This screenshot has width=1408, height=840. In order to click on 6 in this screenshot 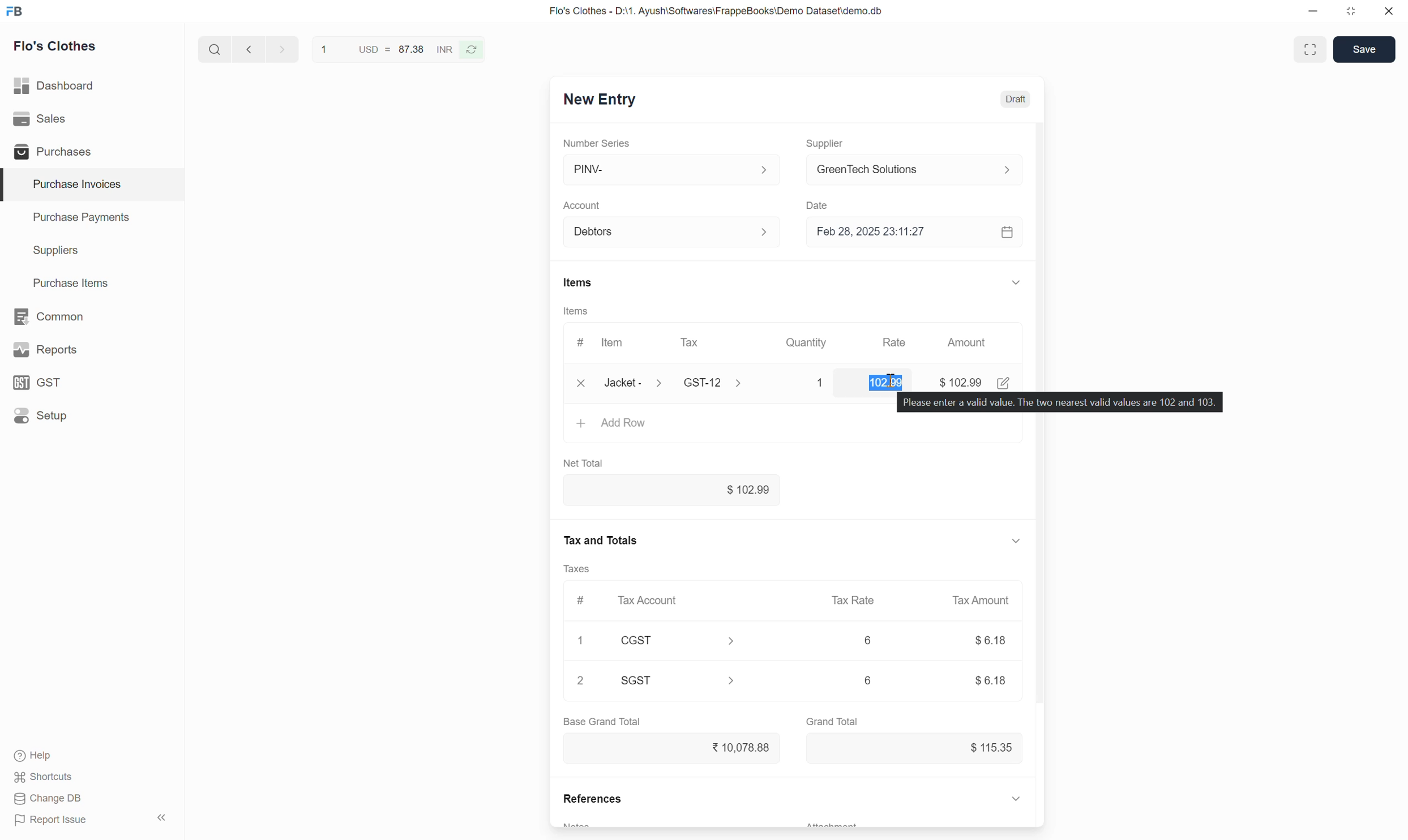, I will do `click(868, 680)`.